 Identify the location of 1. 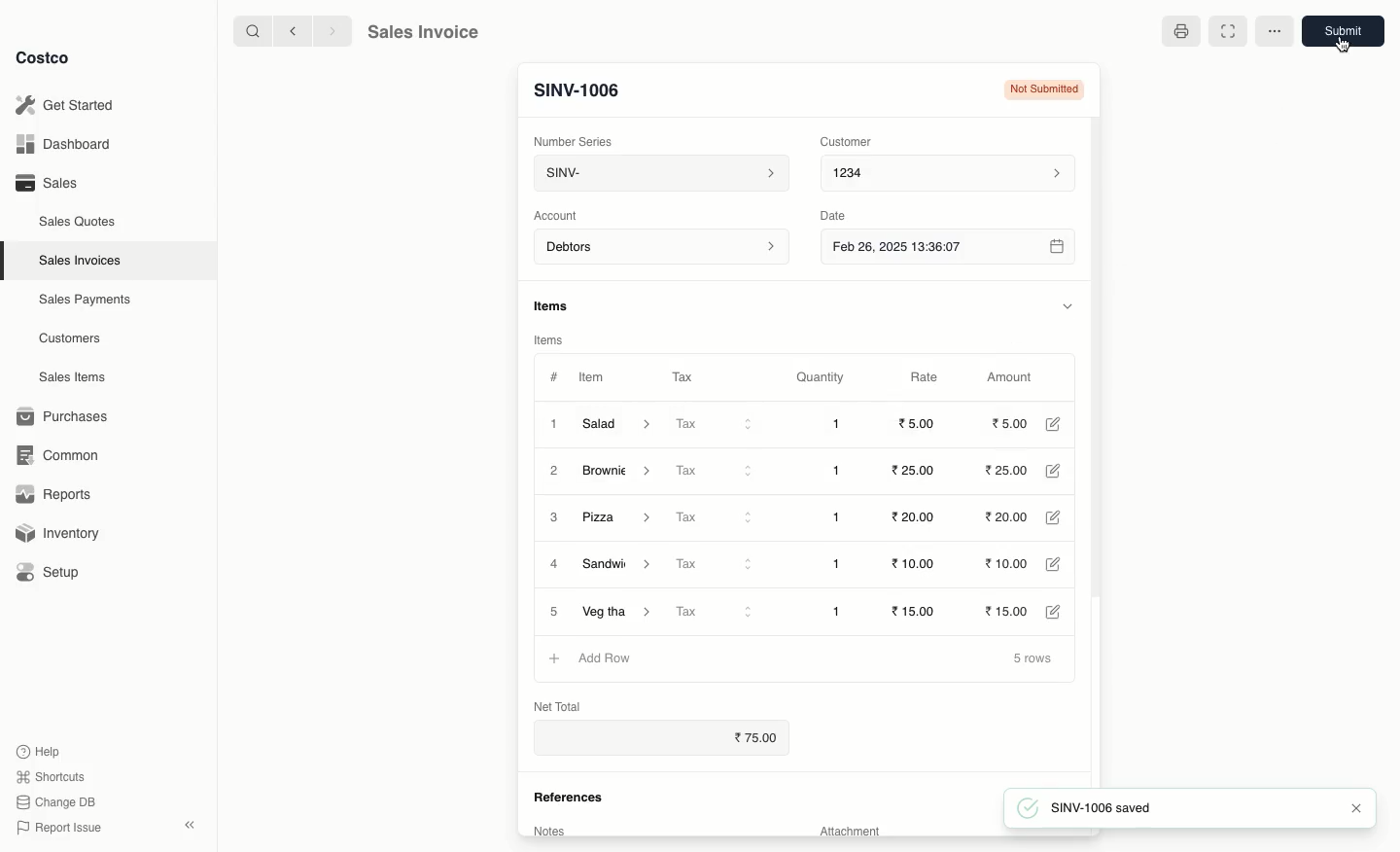
(550, 422).